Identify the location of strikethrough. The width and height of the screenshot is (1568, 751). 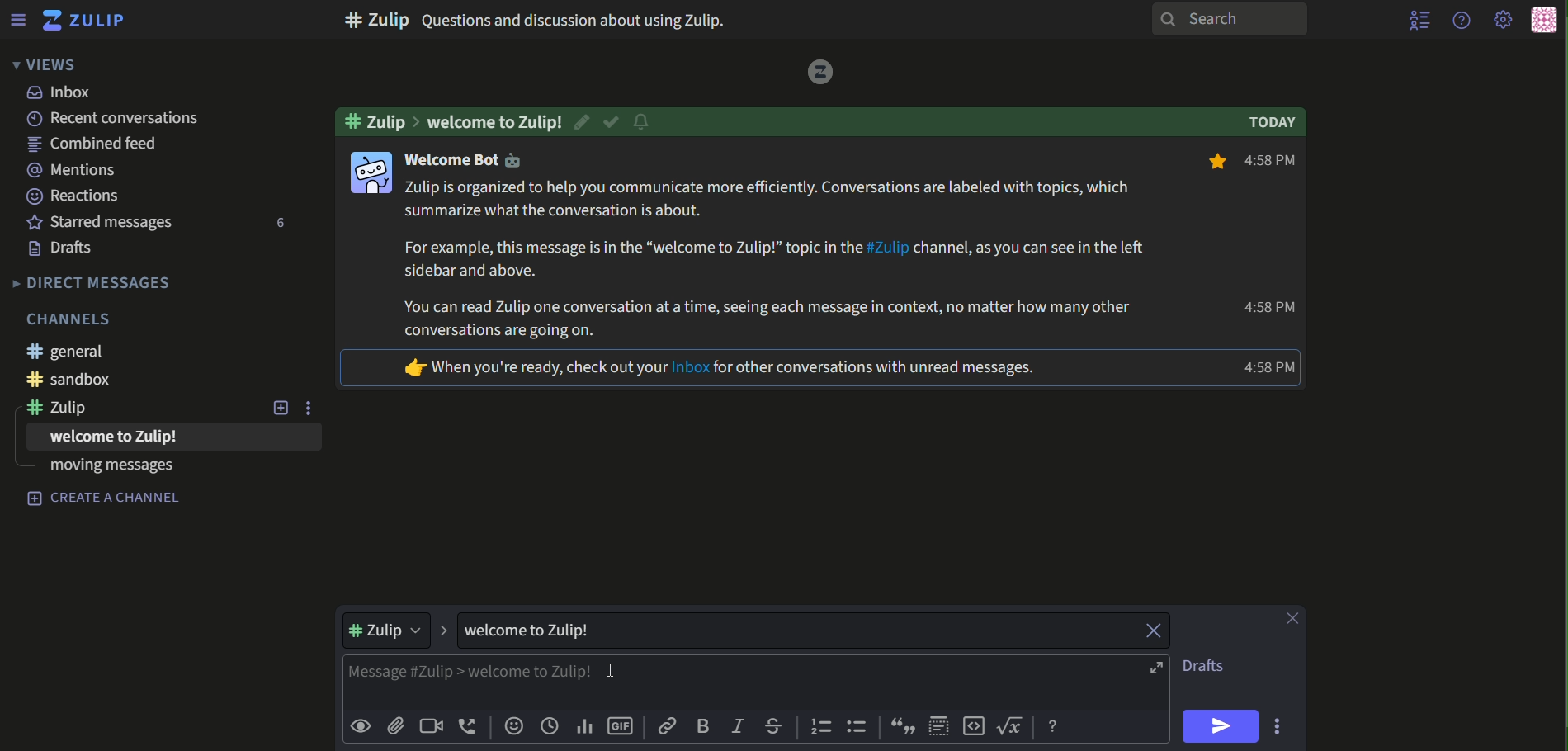
(774, 725).